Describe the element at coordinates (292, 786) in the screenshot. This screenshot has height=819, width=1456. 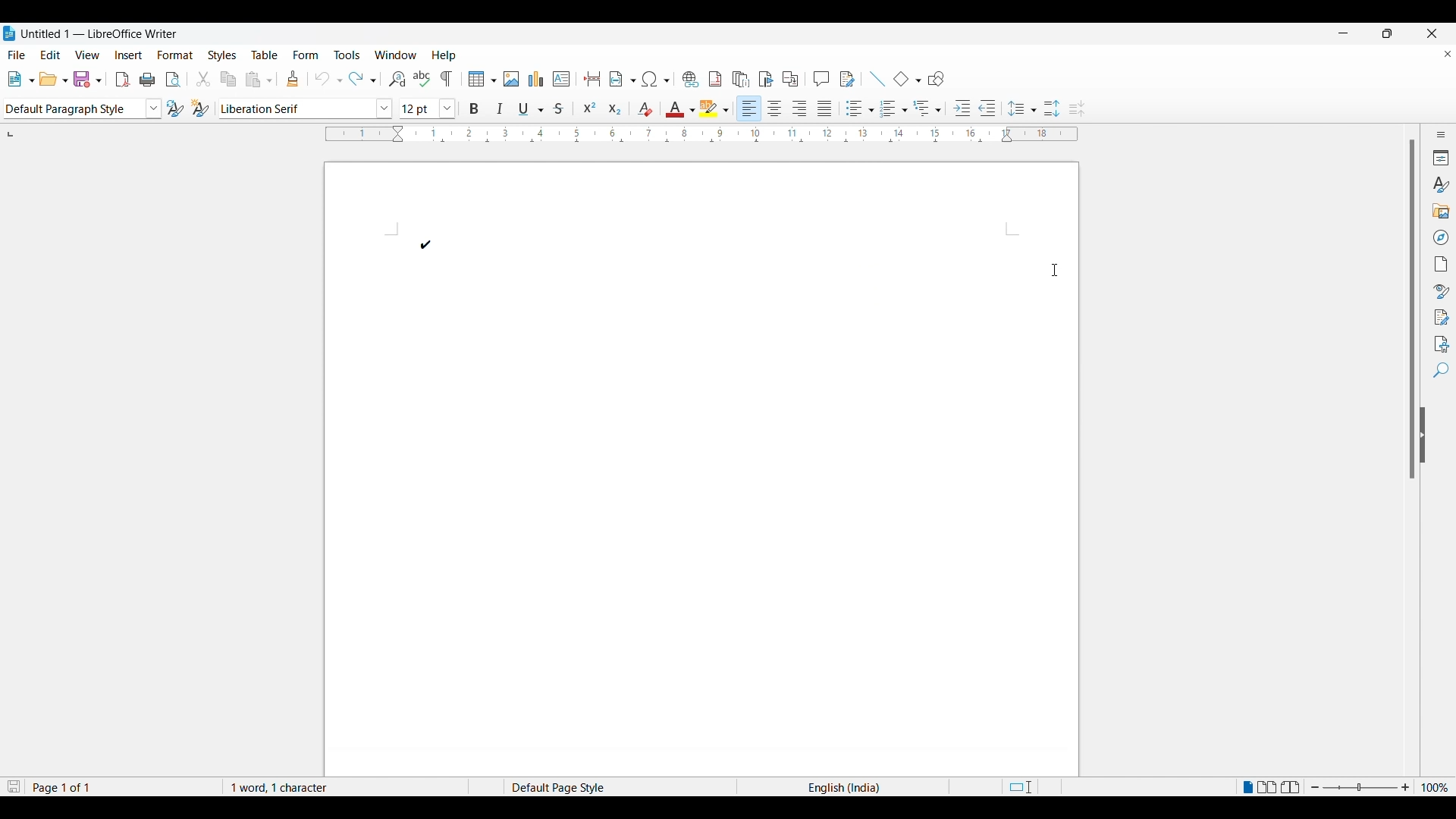
I see `0 words, 0 characters` at that location.